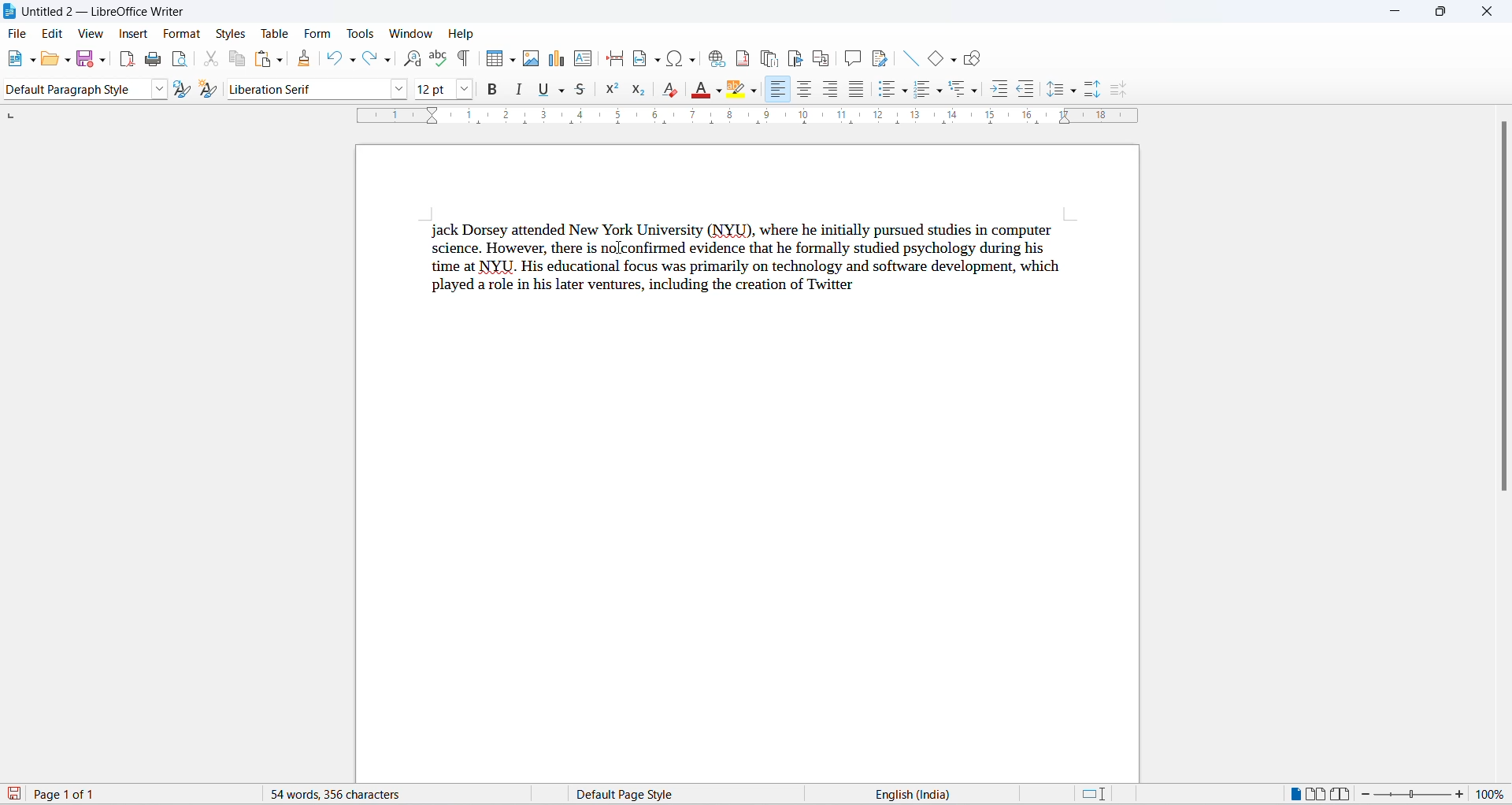 Image resolution: width=1512 pixels, height=805 pixels. Describe the element at coordinates (961, 93) in the screenshot. I see `select outline format` at that location.